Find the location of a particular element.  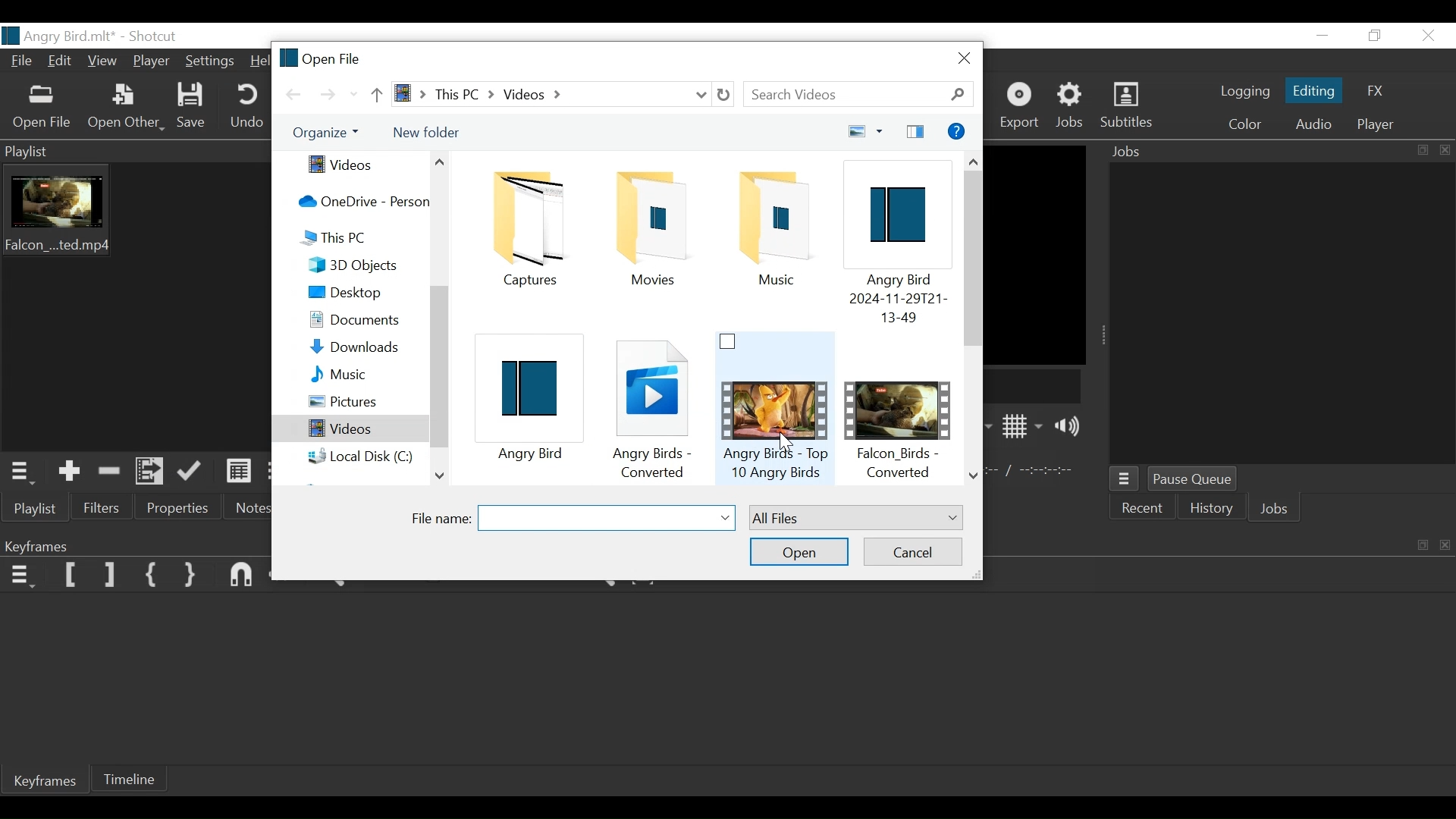

snap is located at coordinates (245, 577).